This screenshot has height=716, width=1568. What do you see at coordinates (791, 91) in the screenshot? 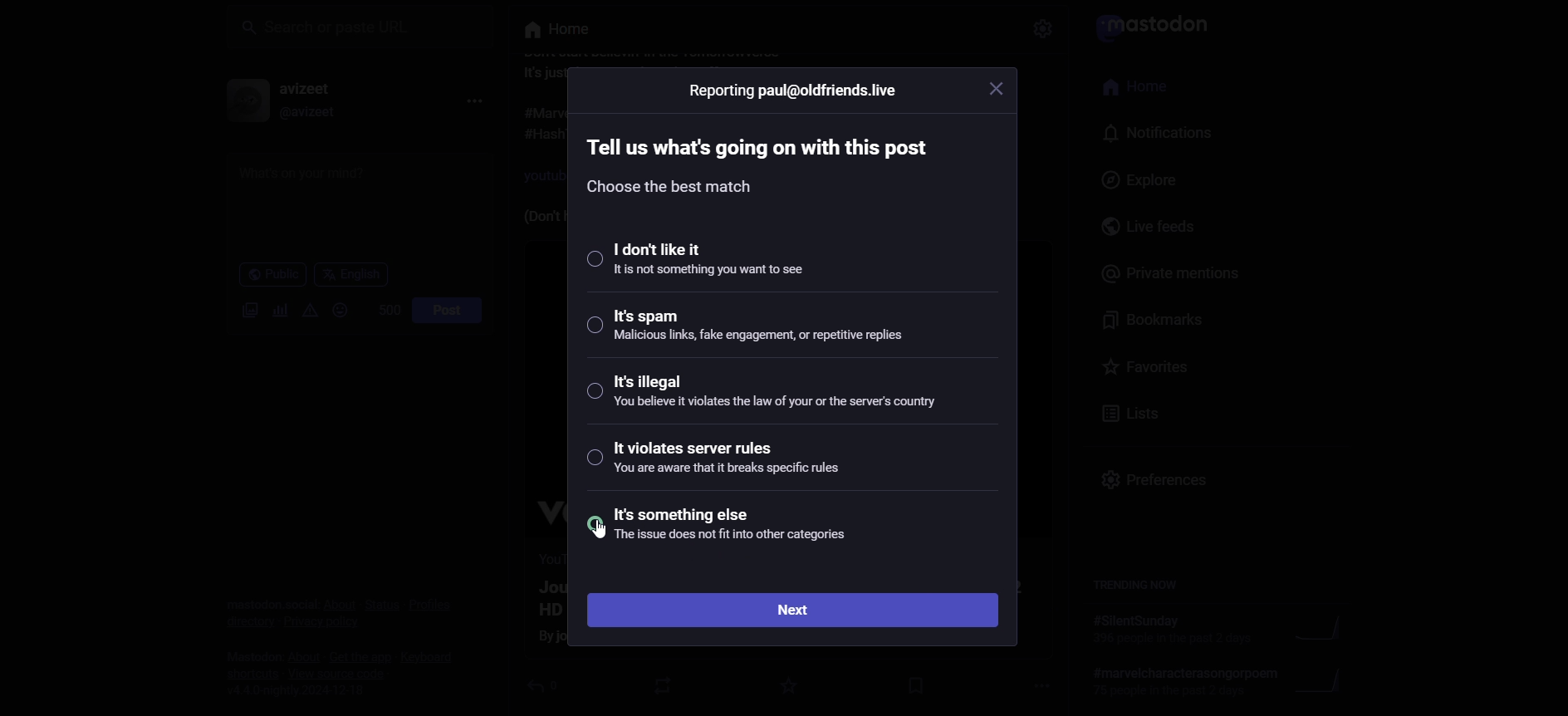
I see `reporting information` at bounding box center [791, 91].